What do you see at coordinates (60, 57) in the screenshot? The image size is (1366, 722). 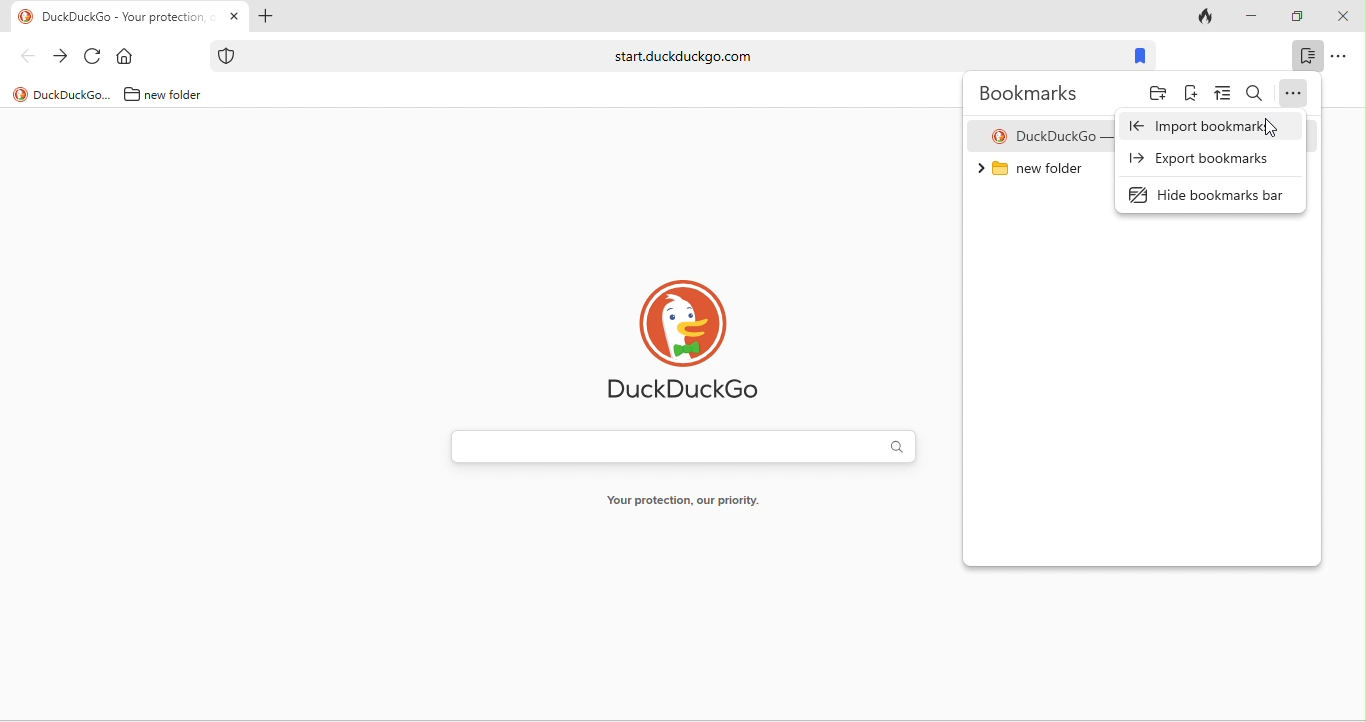 I see `forward` at bounding box center [60, 57].